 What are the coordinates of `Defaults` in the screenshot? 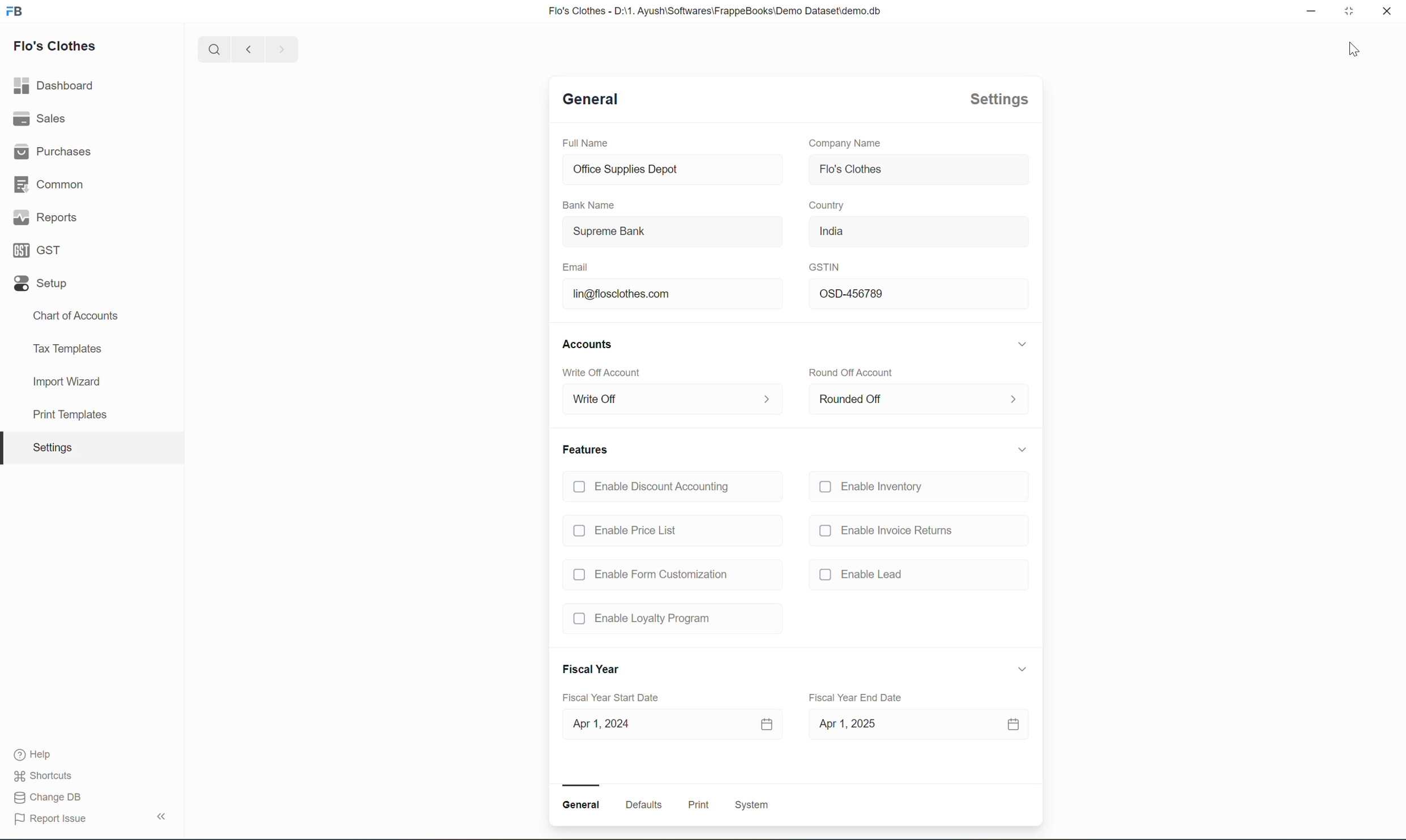 It's located at (643, 804).